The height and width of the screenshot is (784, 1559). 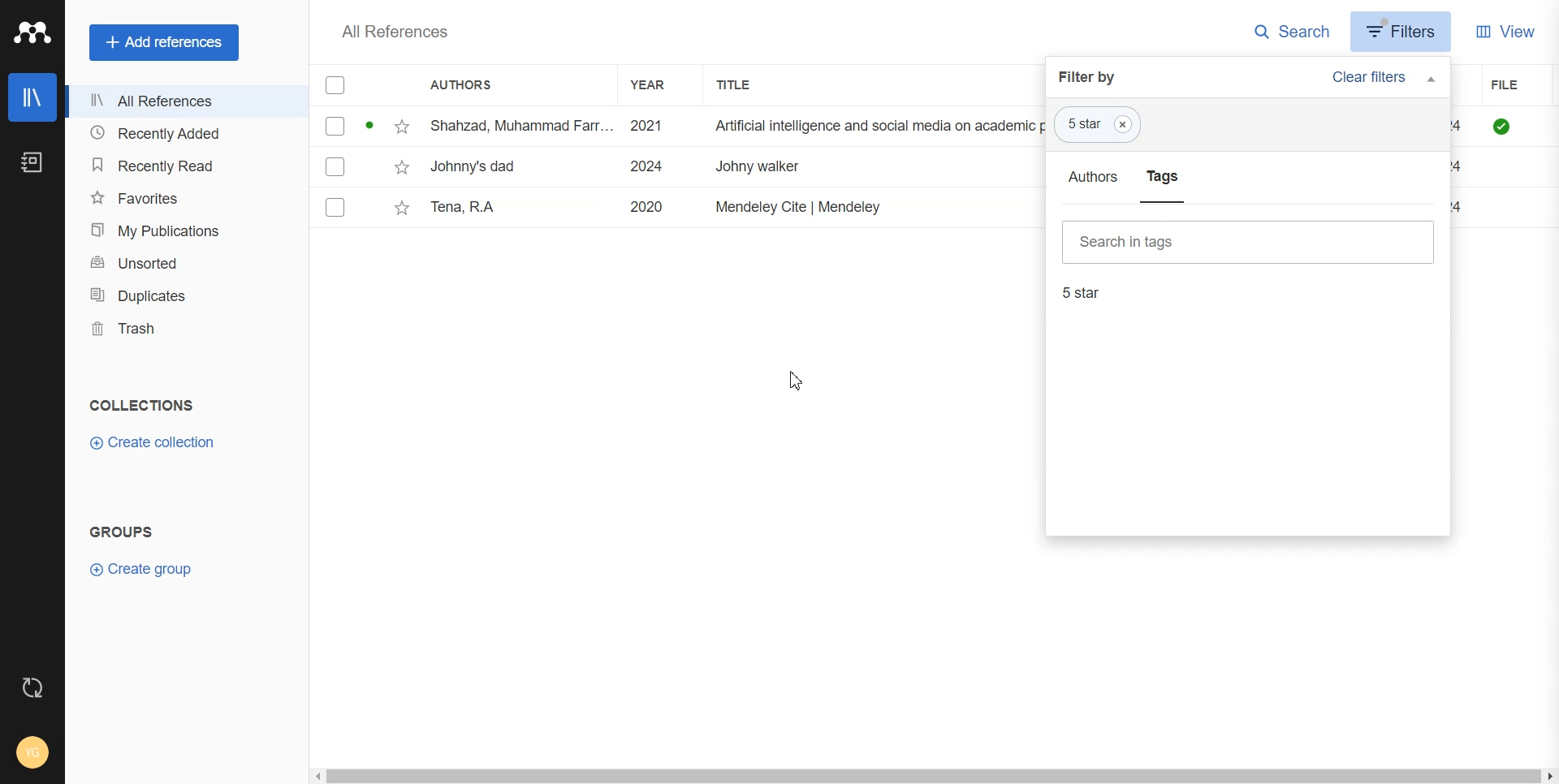 What do you see at coordinates (184, 261) in the screenshot?
I see `Unsorted` at bounding box center [184, 261].